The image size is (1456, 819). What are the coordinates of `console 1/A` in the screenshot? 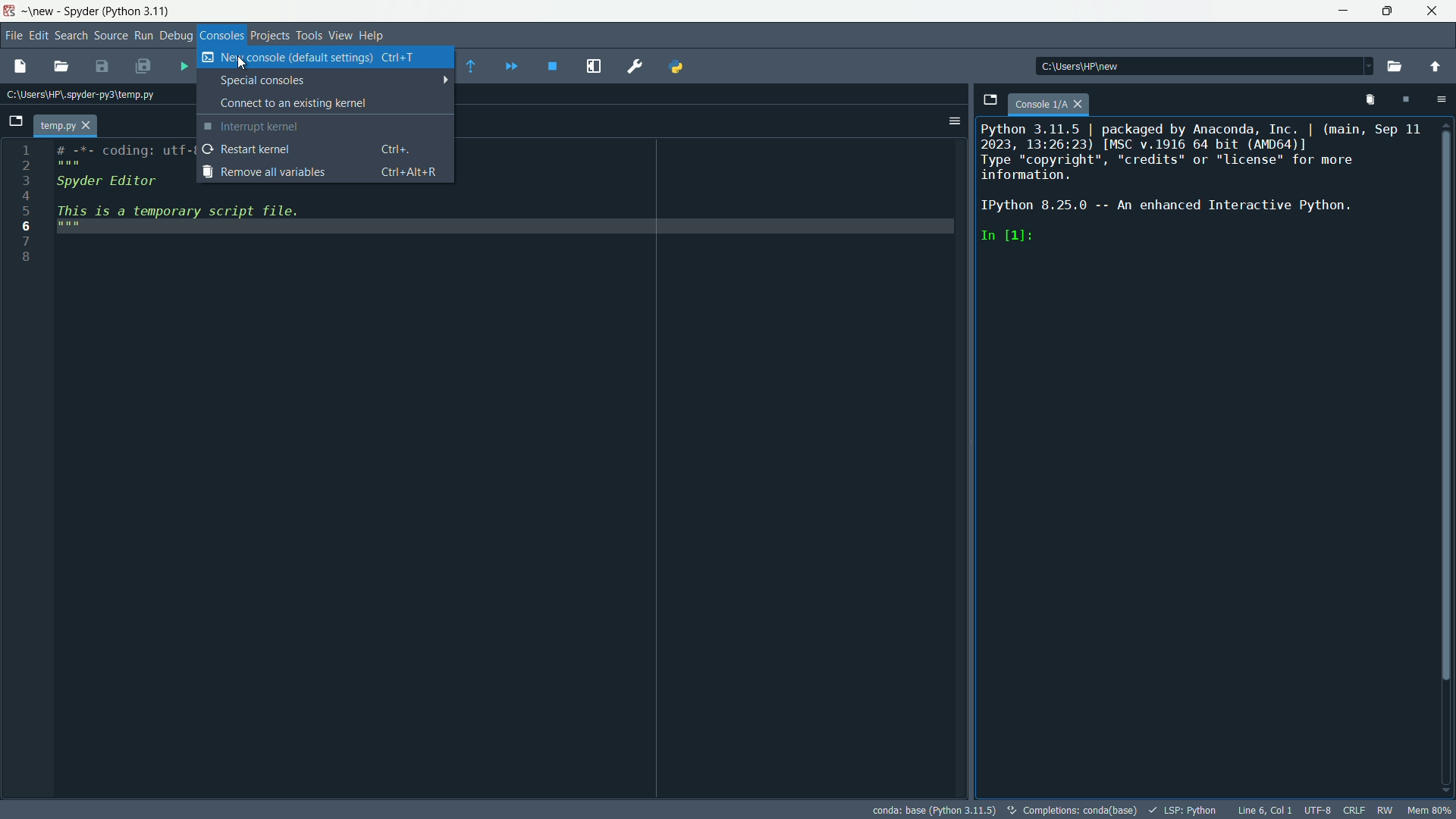 It's located at (1038, 105).